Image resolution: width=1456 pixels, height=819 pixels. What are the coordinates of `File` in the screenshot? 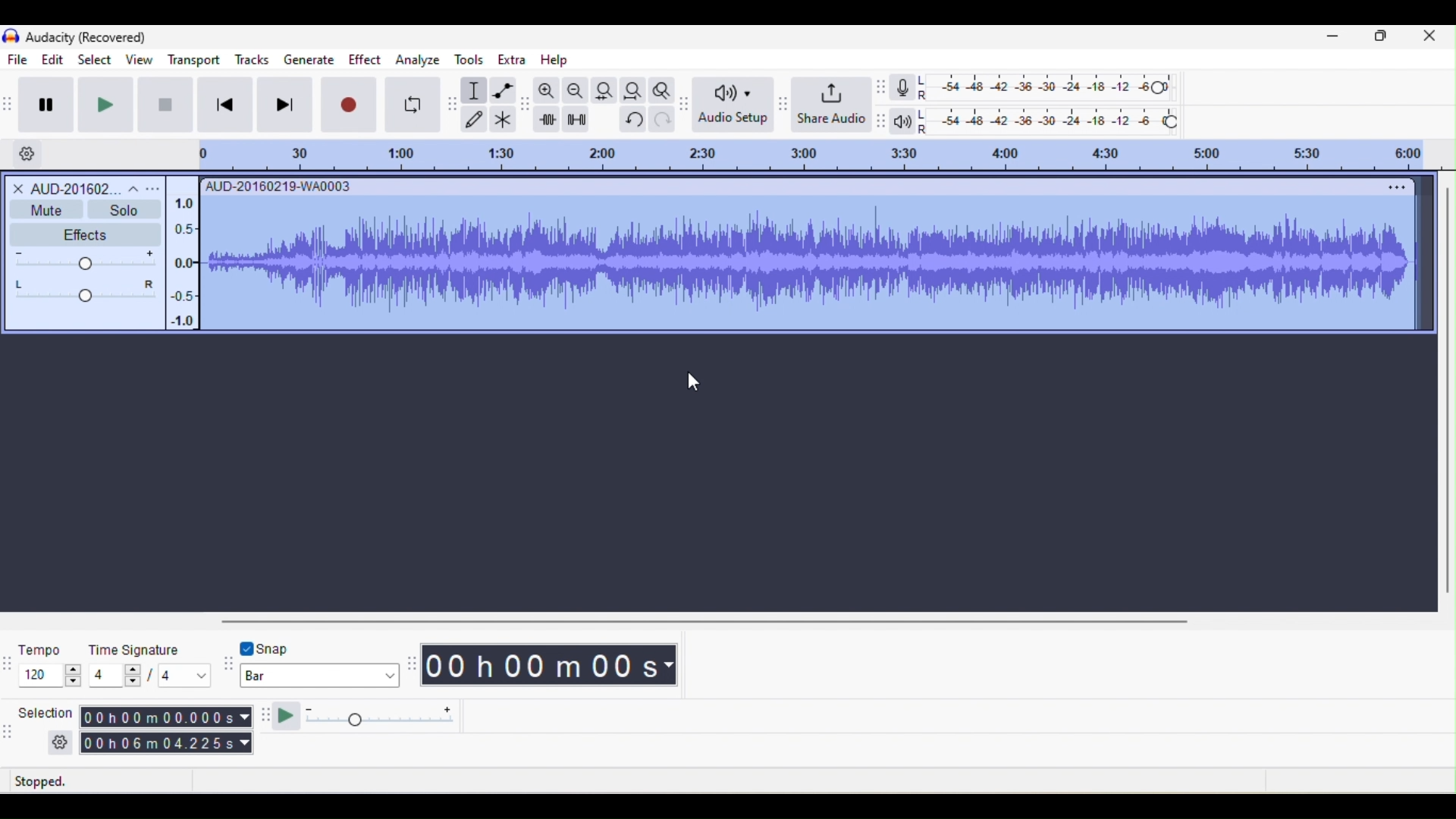 It's located at (19, 59).